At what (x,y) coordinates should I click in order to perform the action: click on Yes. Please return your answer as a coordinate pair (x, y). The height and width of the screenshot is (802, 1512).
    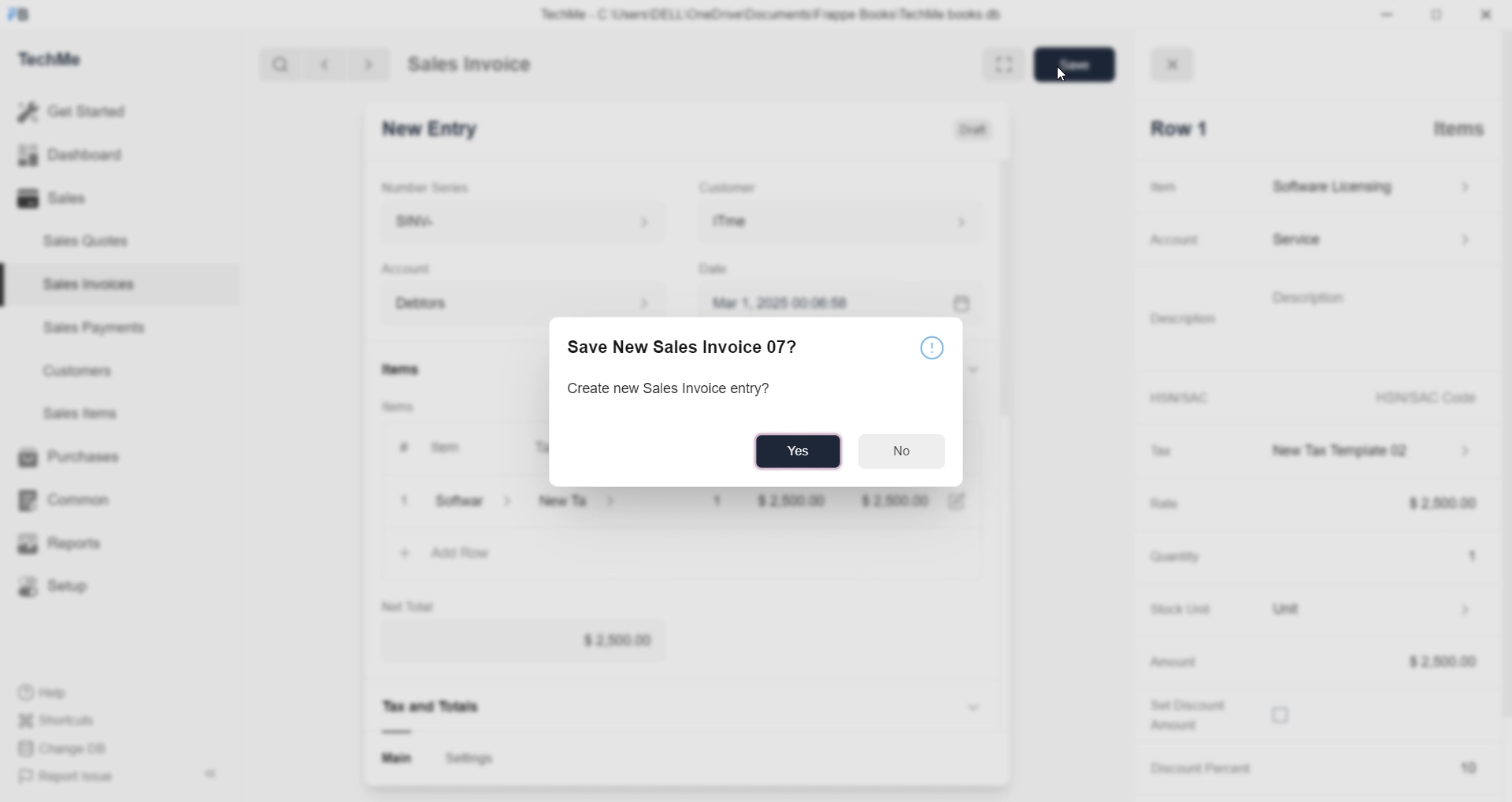
    Looking at the image, I should click on (802, 452).